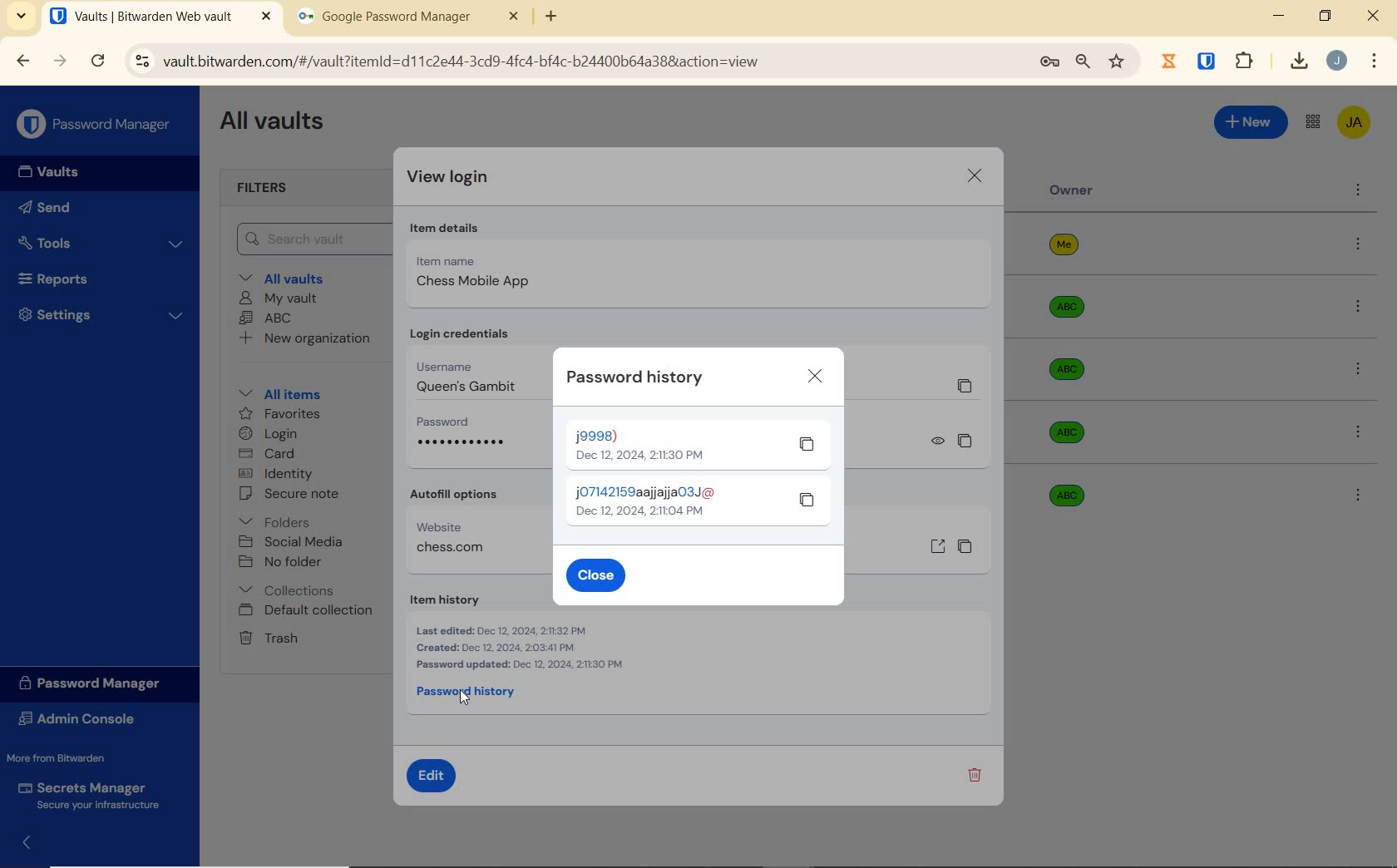 This screenshot has width=1397, height=868. What do you see at coordinates (71, 280) in the screenshot?
I see `Reports` at bounding box center [71, 280].